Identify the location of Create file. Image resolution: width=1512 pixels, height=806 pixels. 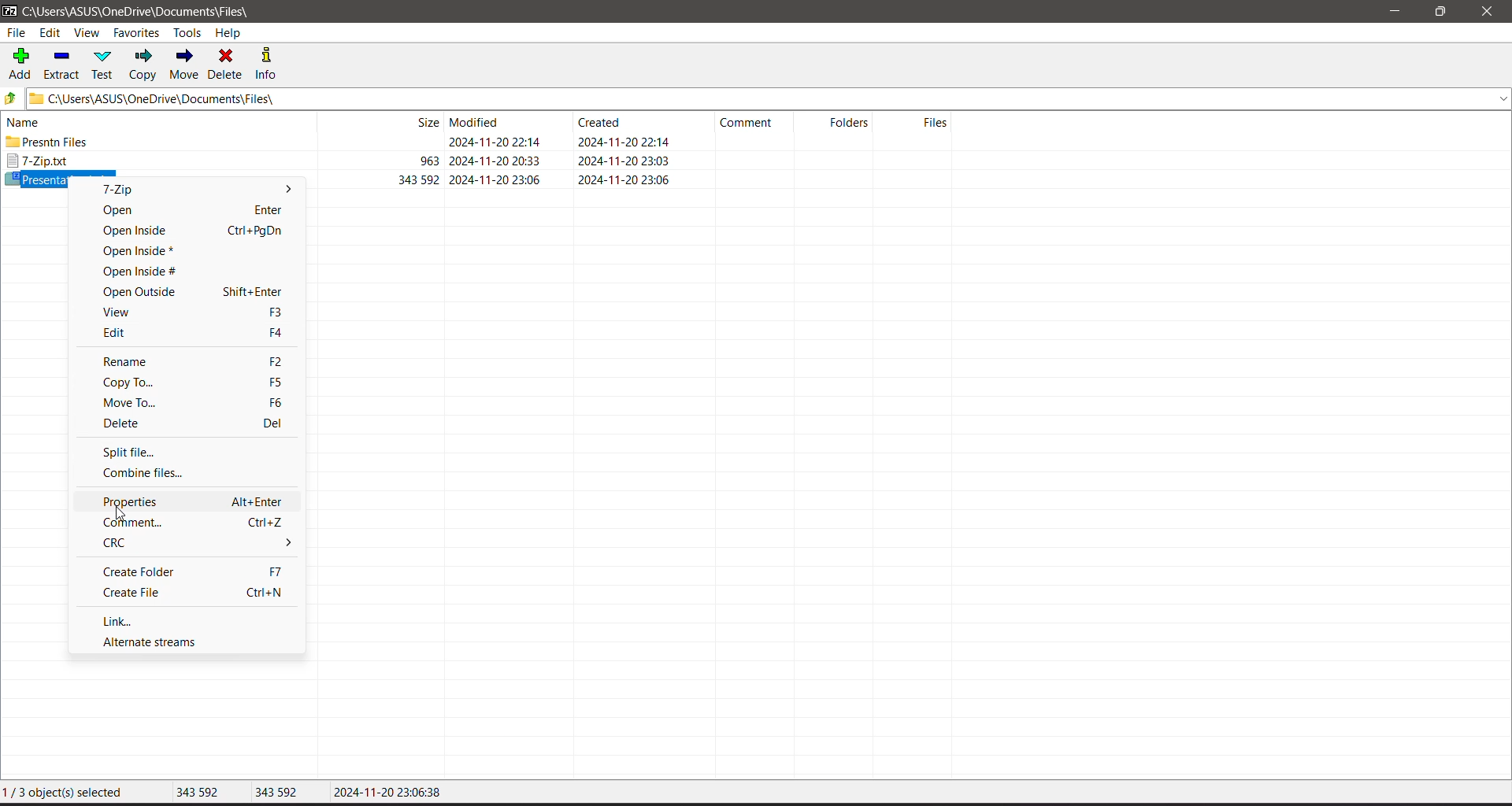
(195, 594).